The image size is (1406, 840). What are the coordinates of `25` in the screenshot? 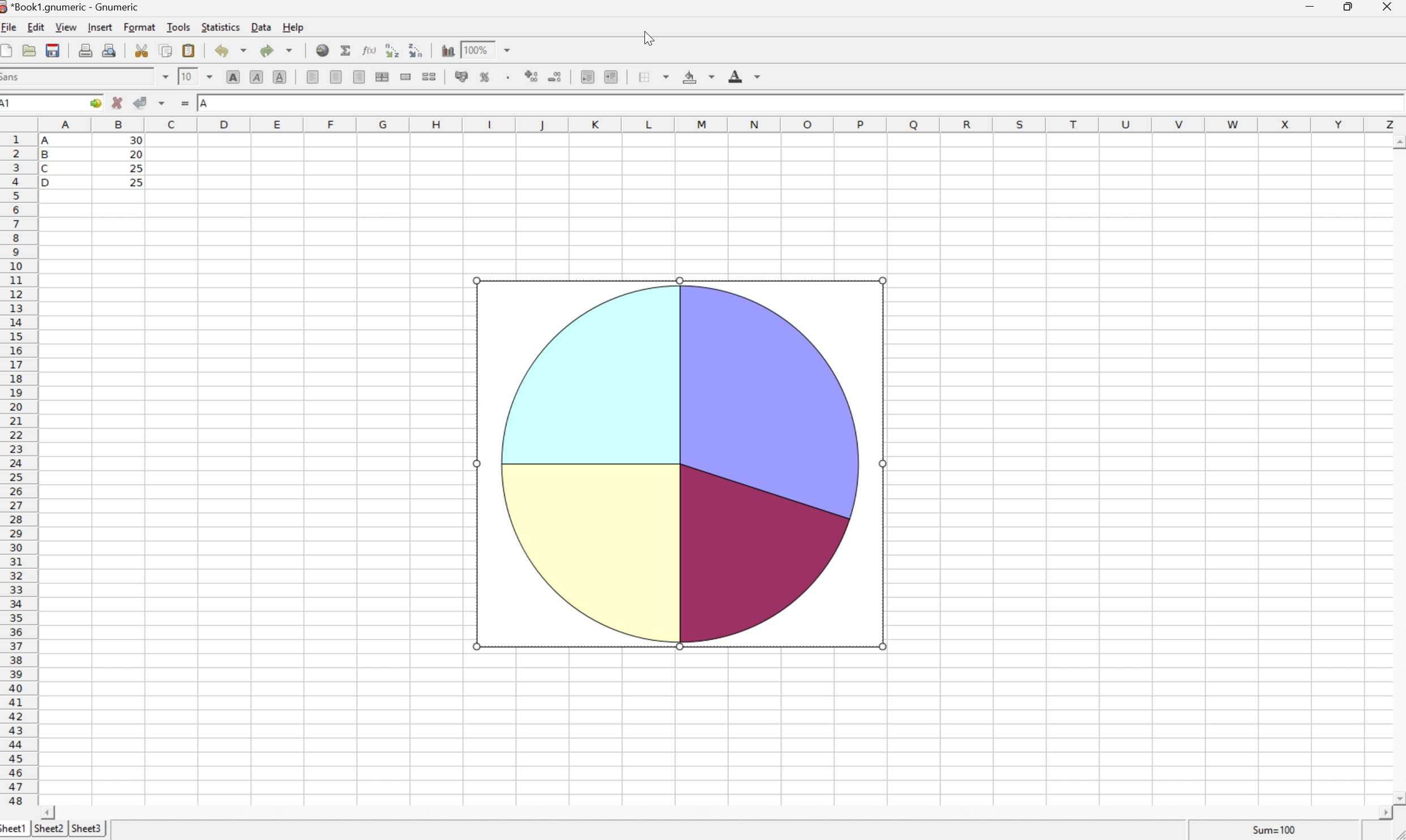 It's located at (138, 182).